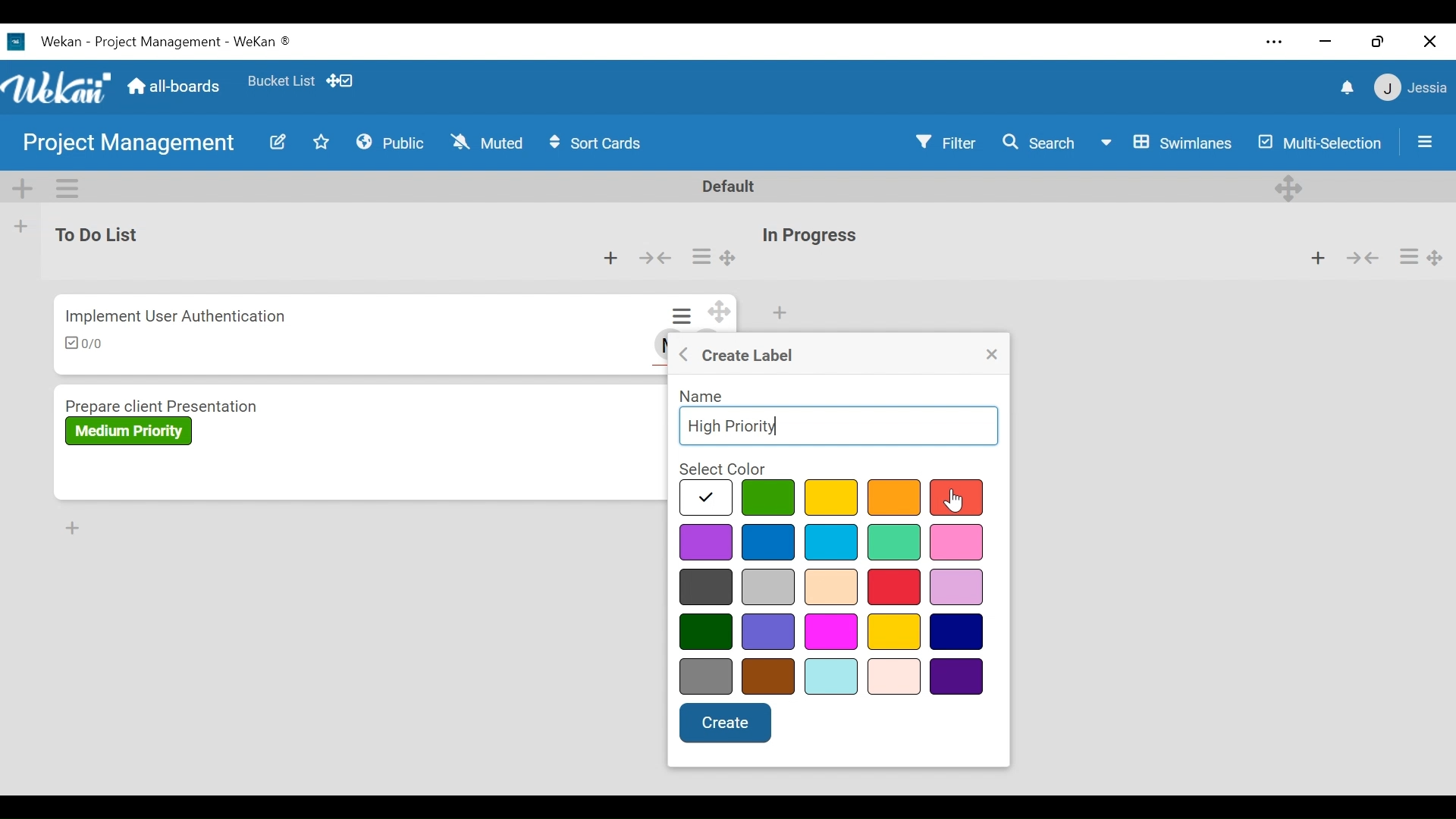 This screenshot has height=819, width=1456. What do you see at coordinates (1345, 86) in the screenshot?
I see `notifications` at bounding box center [1345, 86].